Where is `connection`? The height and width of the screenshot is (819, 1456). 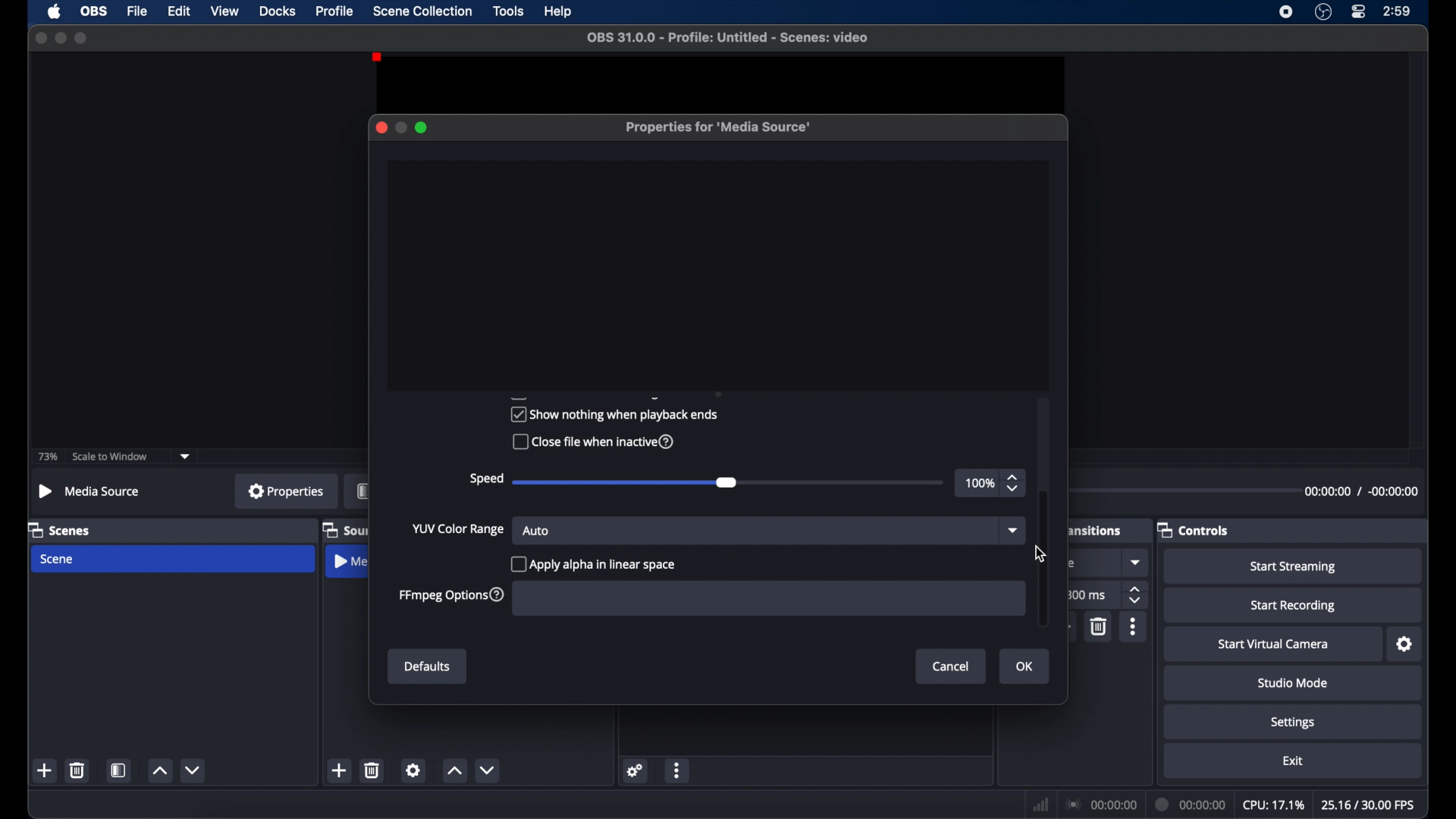
connection is located at coordinates (1100, 805).